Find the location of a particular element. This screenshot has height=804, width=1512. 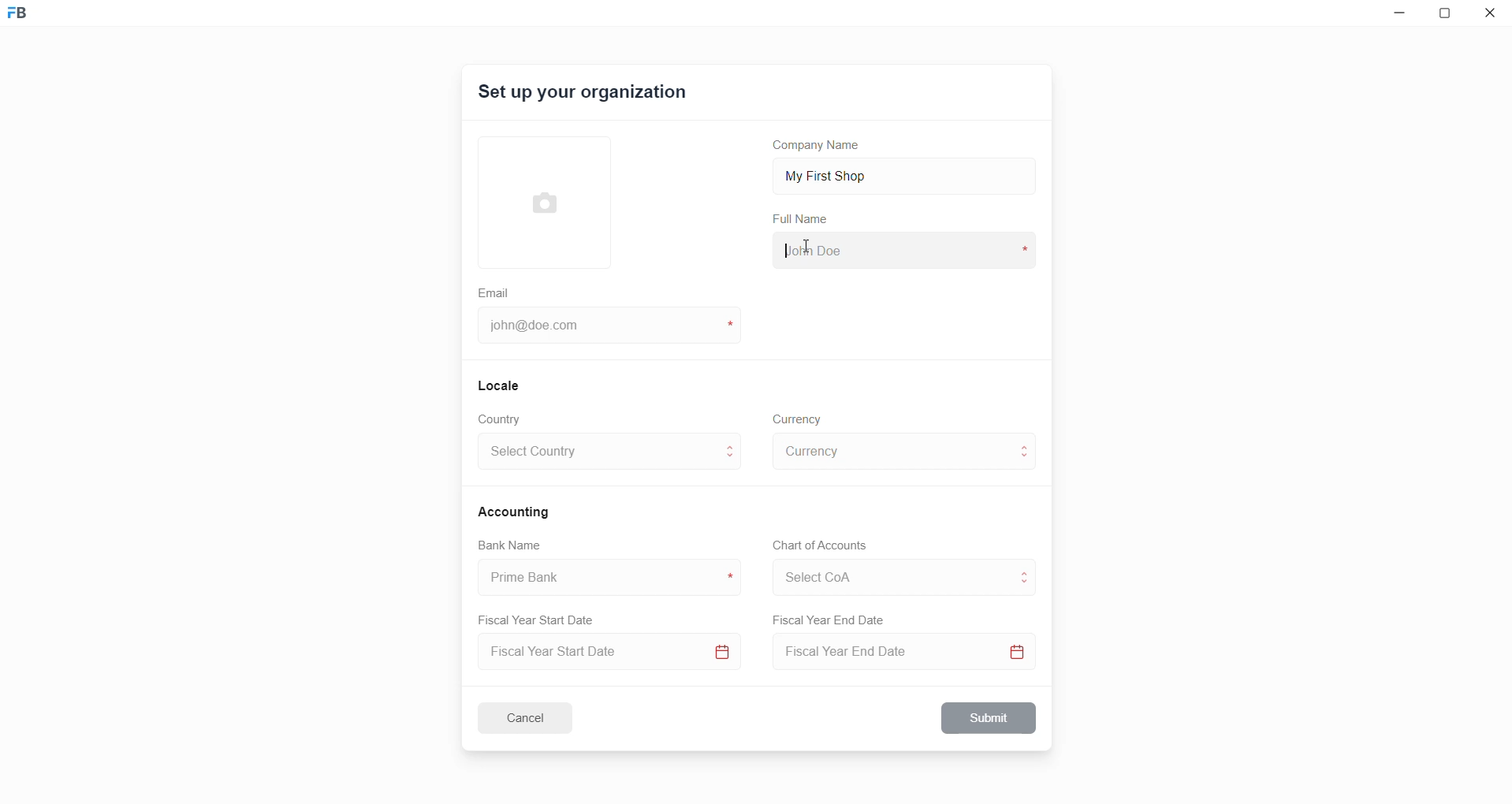

move to below CoA is located at coordinates (1026, 585).